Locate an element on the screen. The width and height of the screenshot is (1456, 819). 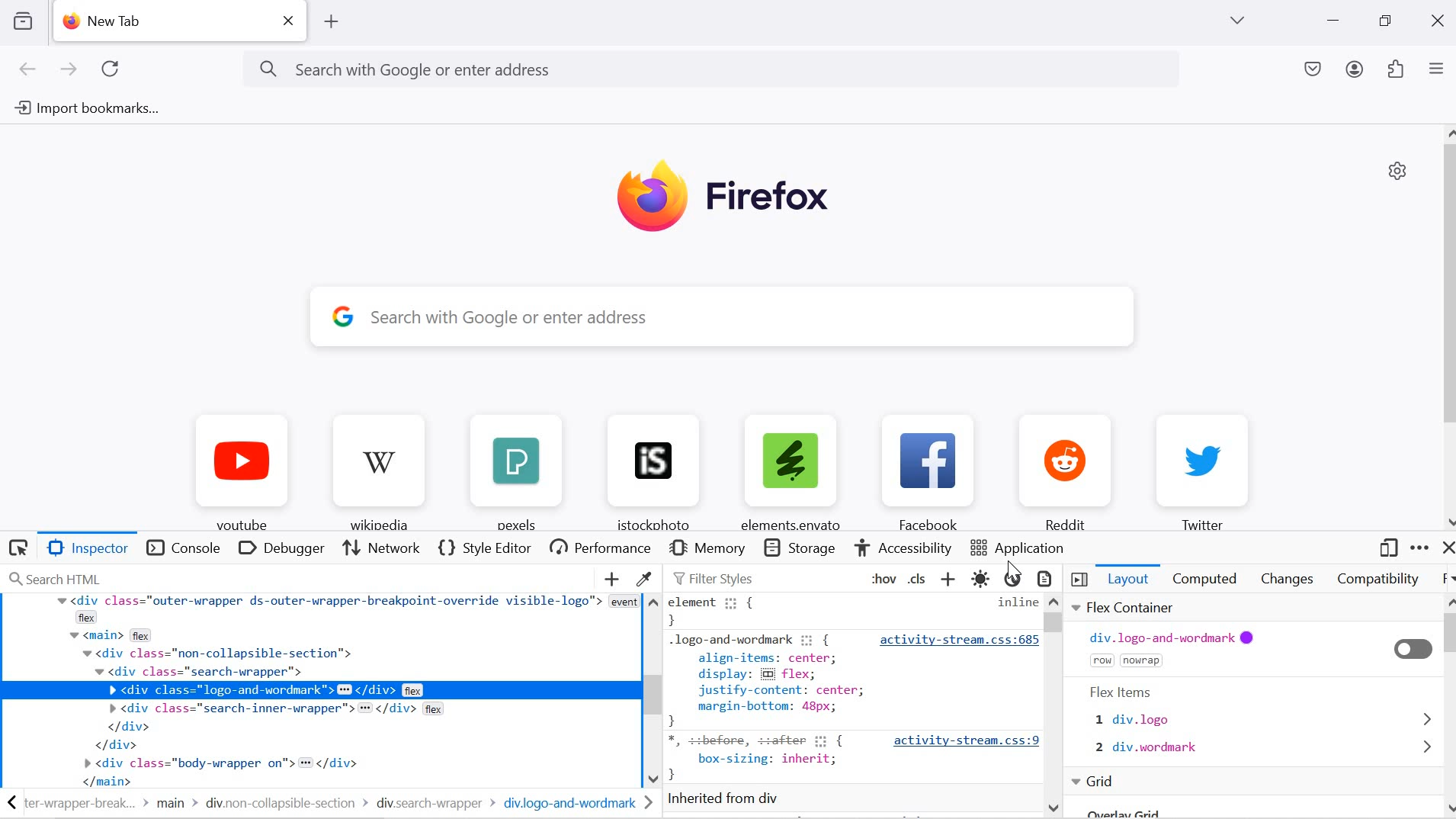
toggle print media selection is located at coordinates (1044, 578).